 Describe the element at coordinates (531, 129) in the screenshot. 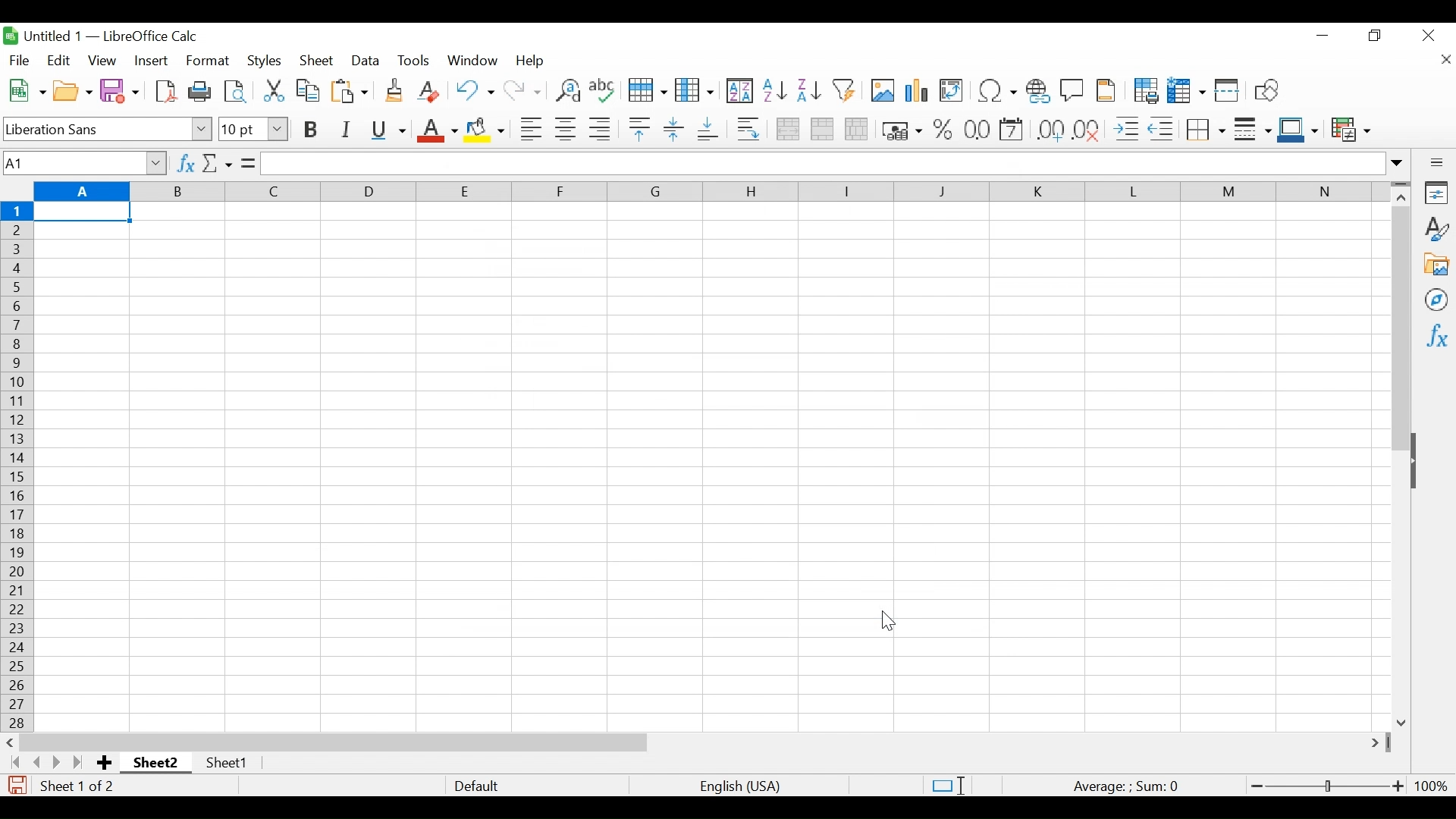

I see `Align Left` at that location.